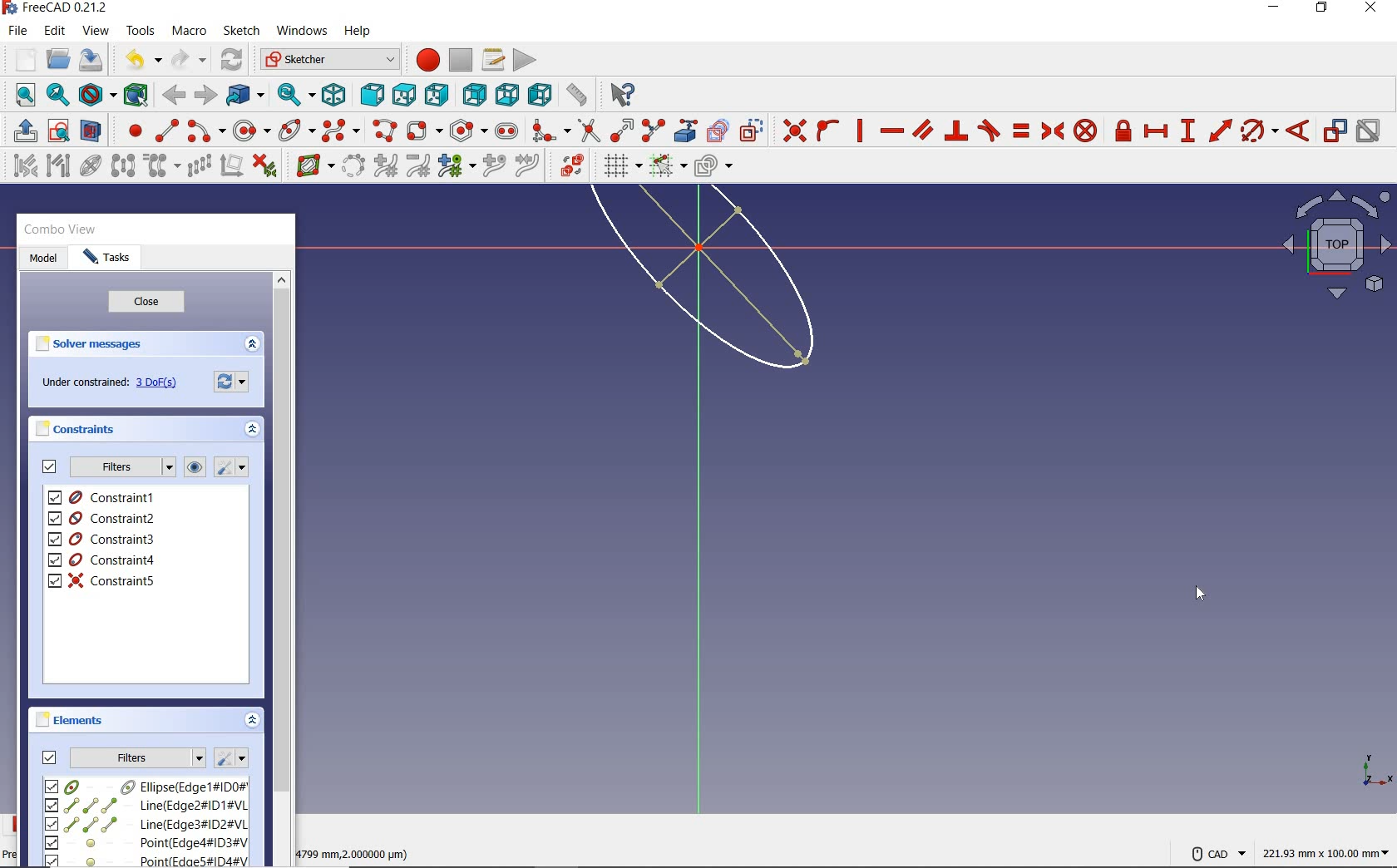 This screenshot has height=868, width=1397. What do you see at coordinates (357, 851) in the screenshot?
I see `cursor coordinates` at bounding box center [357, 851].